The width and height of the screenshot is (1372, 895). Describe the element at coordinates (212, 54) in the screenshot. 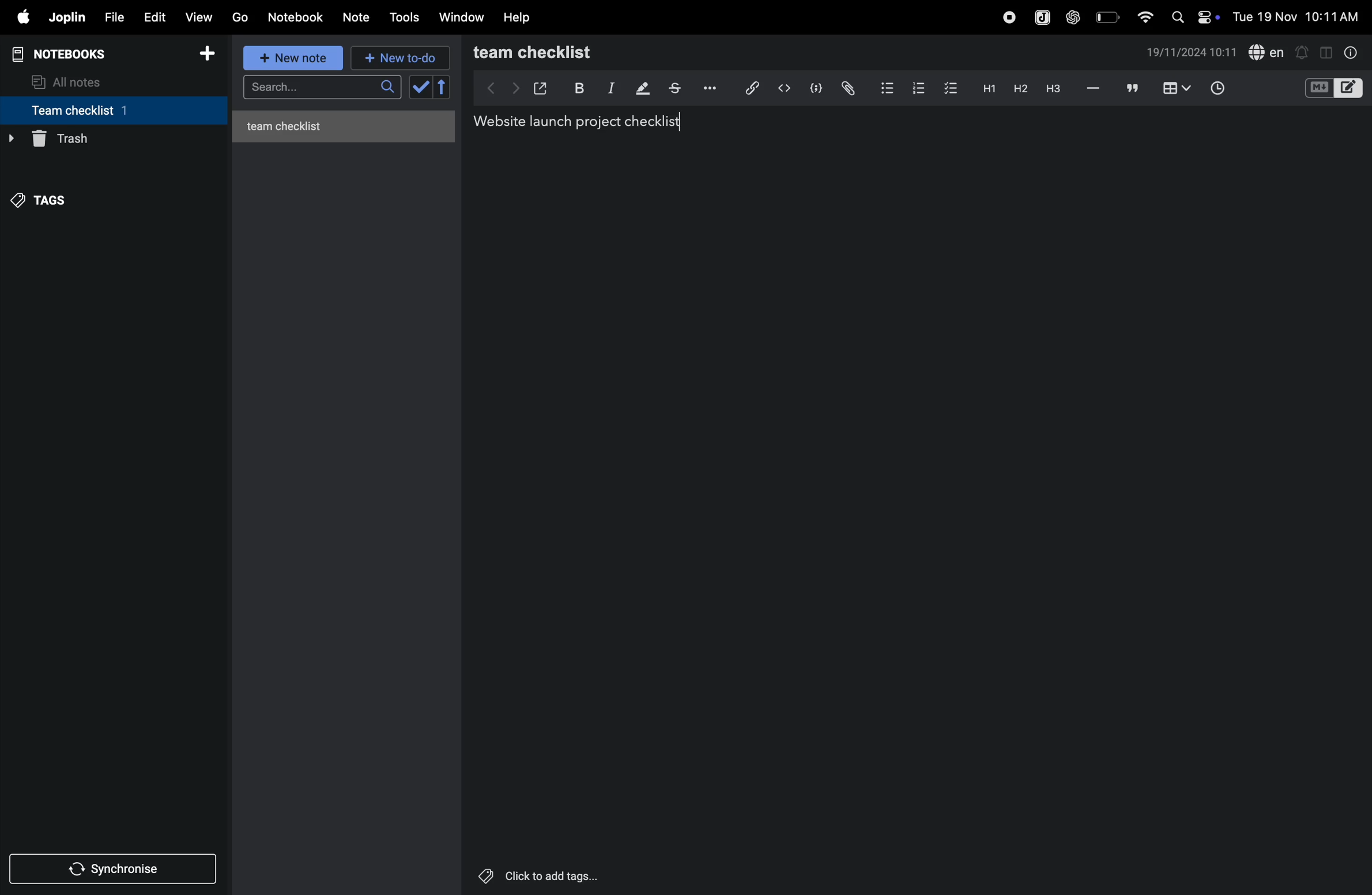

I see `add` at that location.